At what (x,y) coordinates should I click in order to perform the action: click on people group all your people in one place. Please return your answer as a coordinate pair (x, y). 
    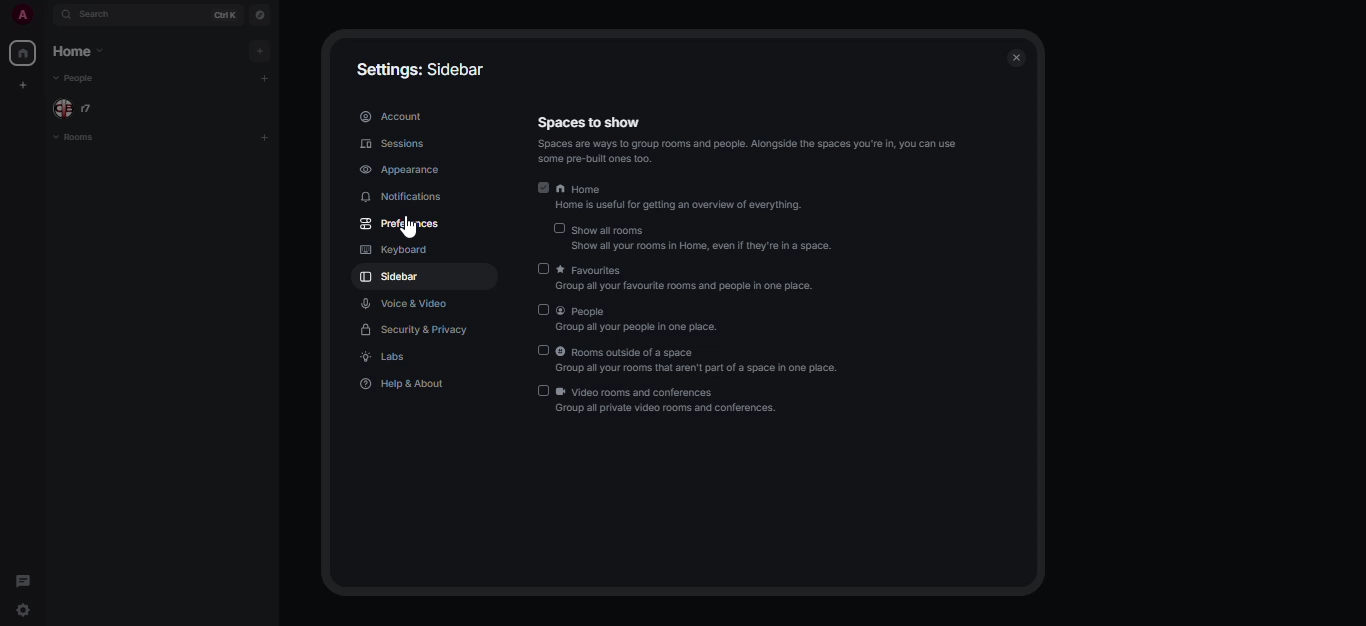
    Looking at the image, I should click on (647, 321).